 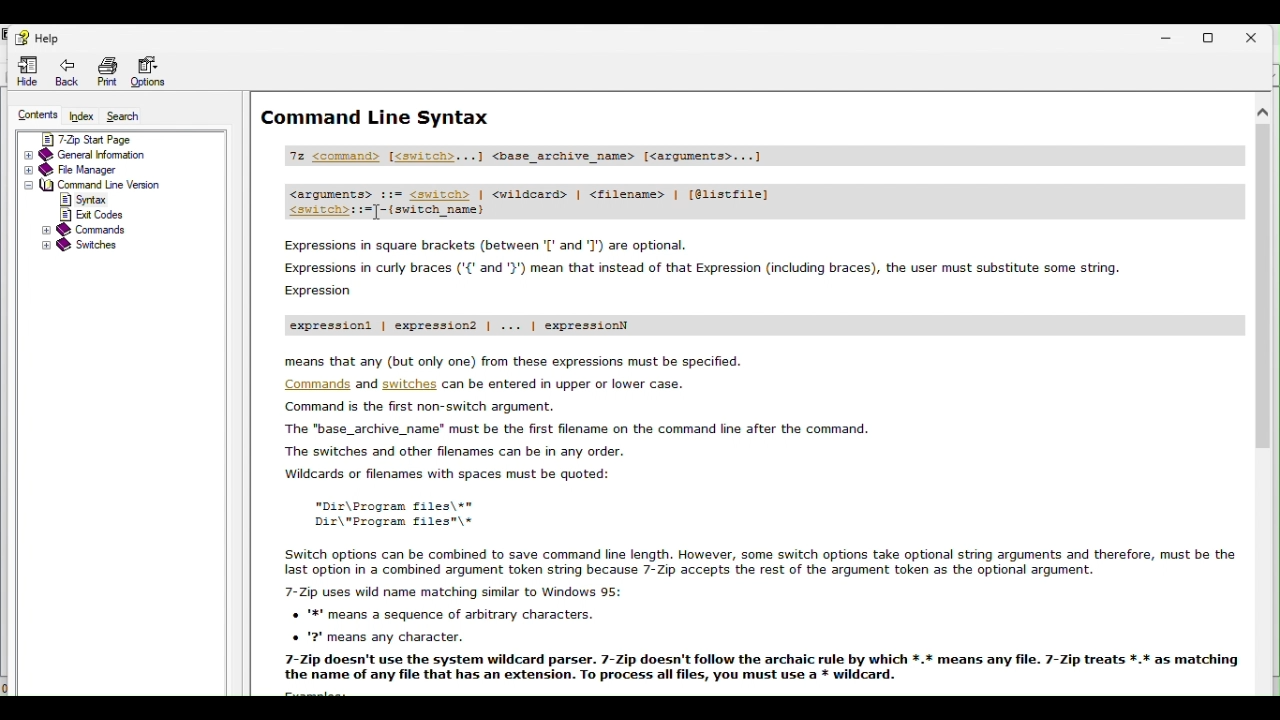 I want to click on General information, so click(x=100, y=153).